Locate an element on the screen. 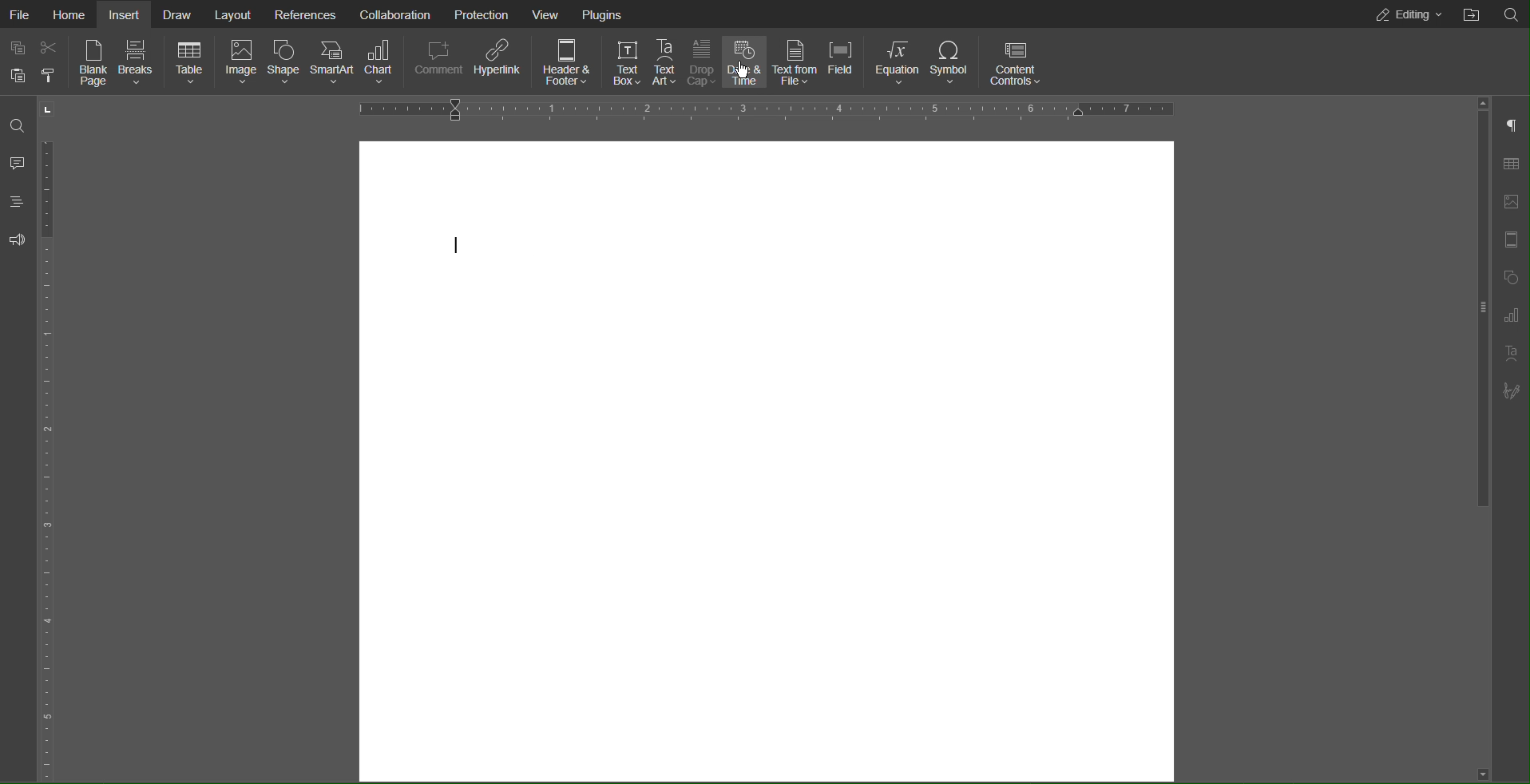 The height and width of the screenshot is (784, 1530). Header & Footer is located at coordinates (567, 61).